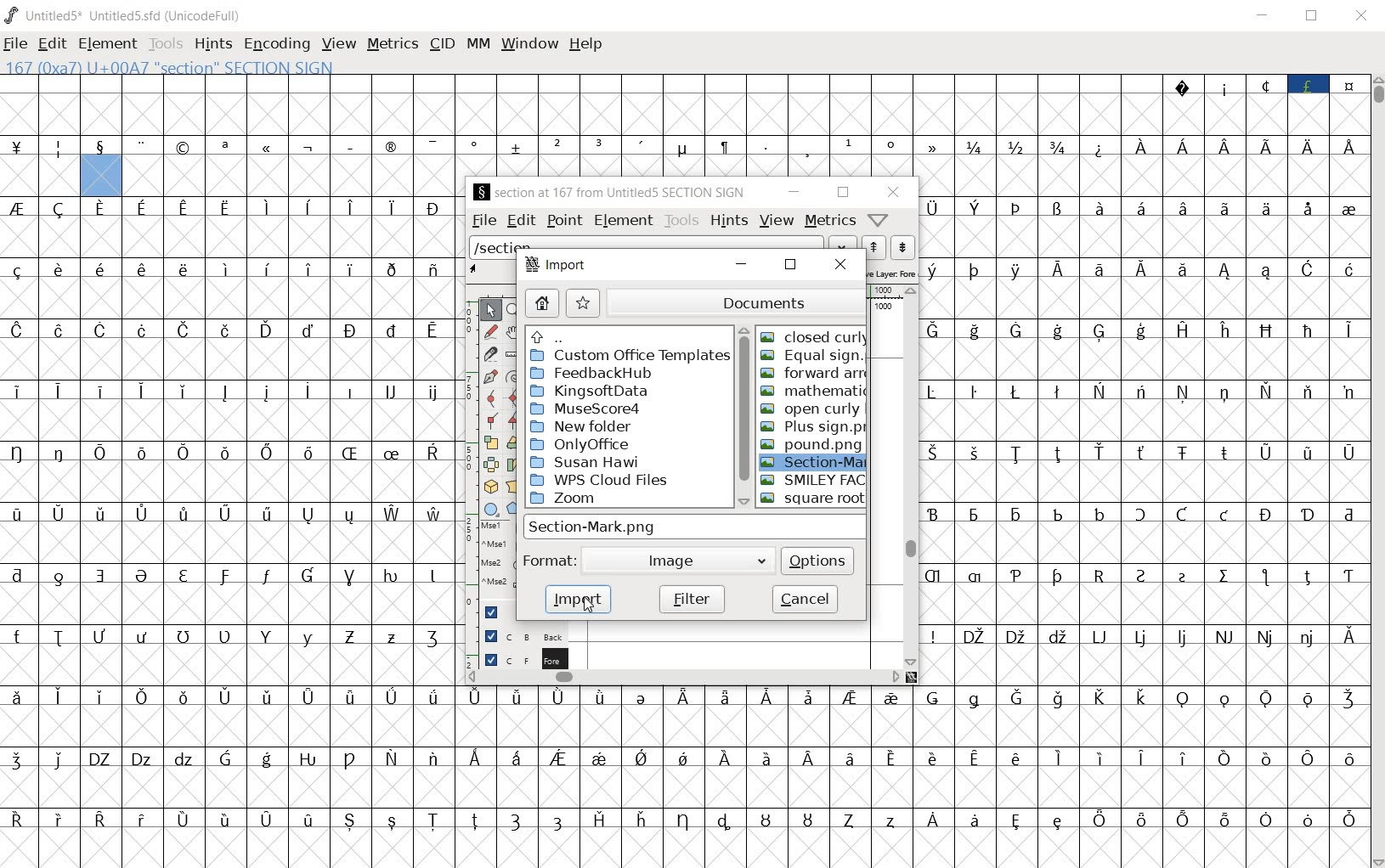 This screenshot has width=1385, height=868. I want to click on empty cells, so click(1140, 238).